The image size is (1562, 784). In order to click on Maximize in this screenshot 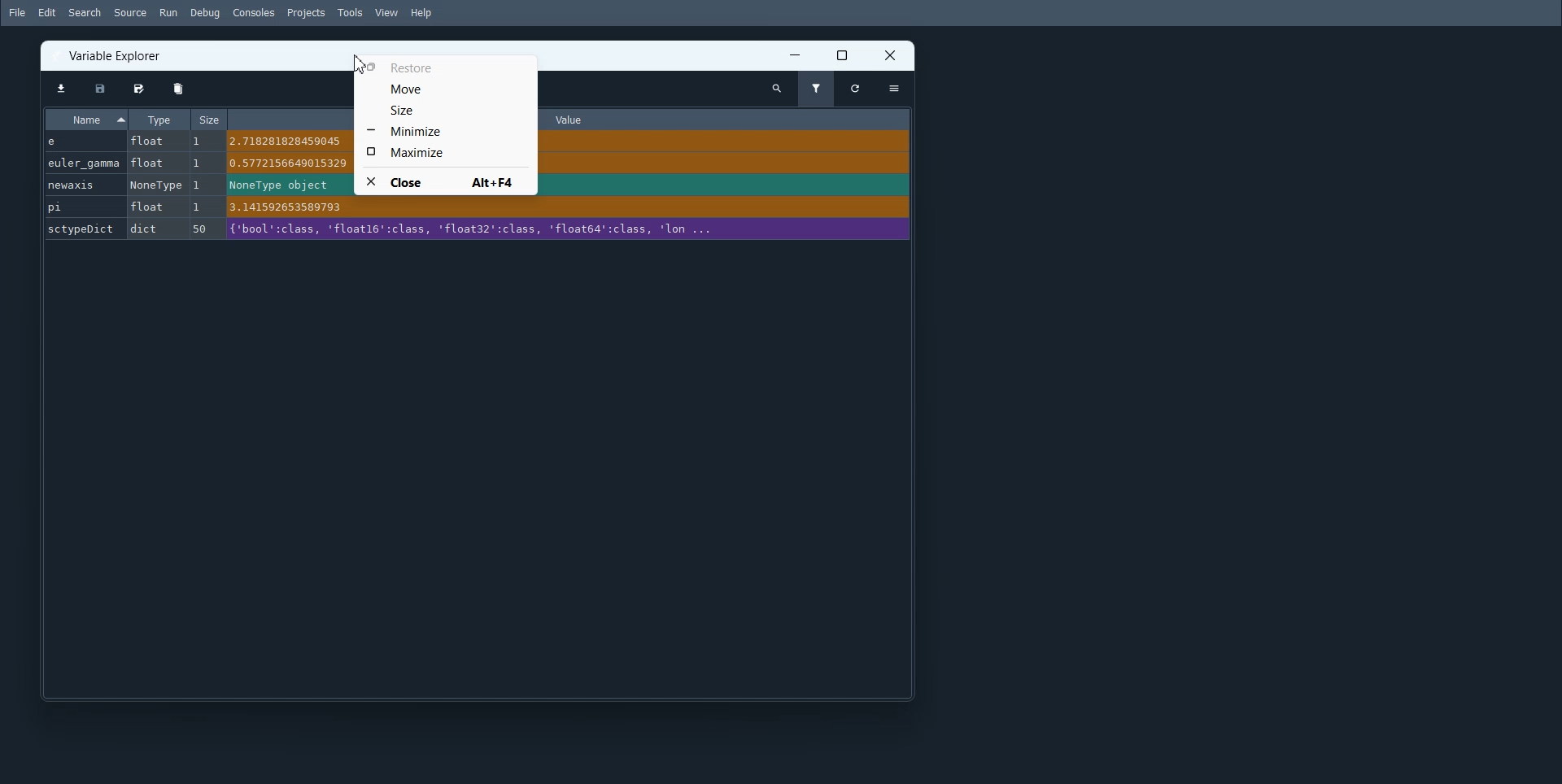, I will do `click(444, 153)`.